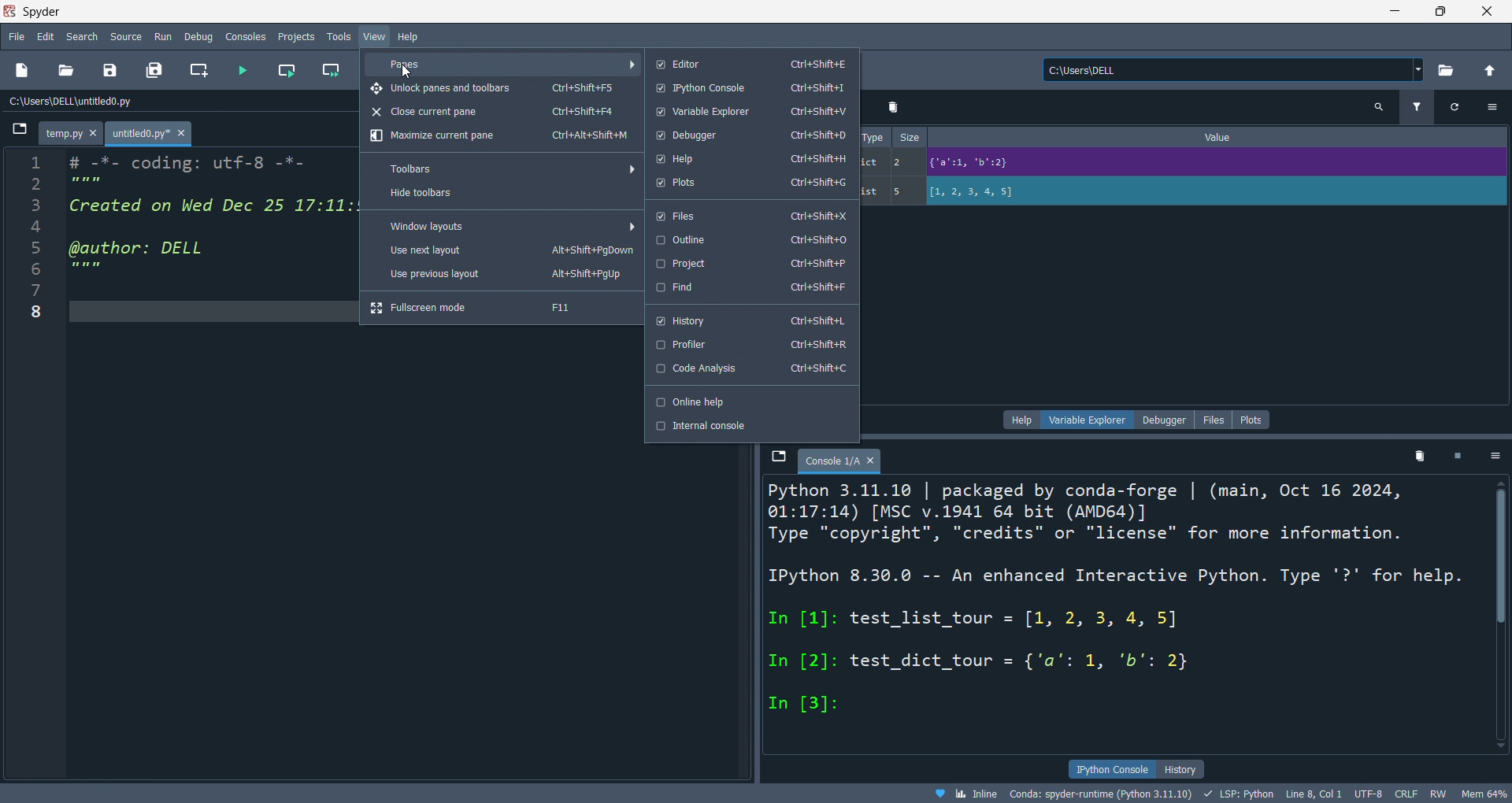 Image resolution: width=1512 pixels, height=803 pixels. What do you see at coordinates (335, 71) in the screenshot?
I see `run cell and move` at bounding box center [335, 71].